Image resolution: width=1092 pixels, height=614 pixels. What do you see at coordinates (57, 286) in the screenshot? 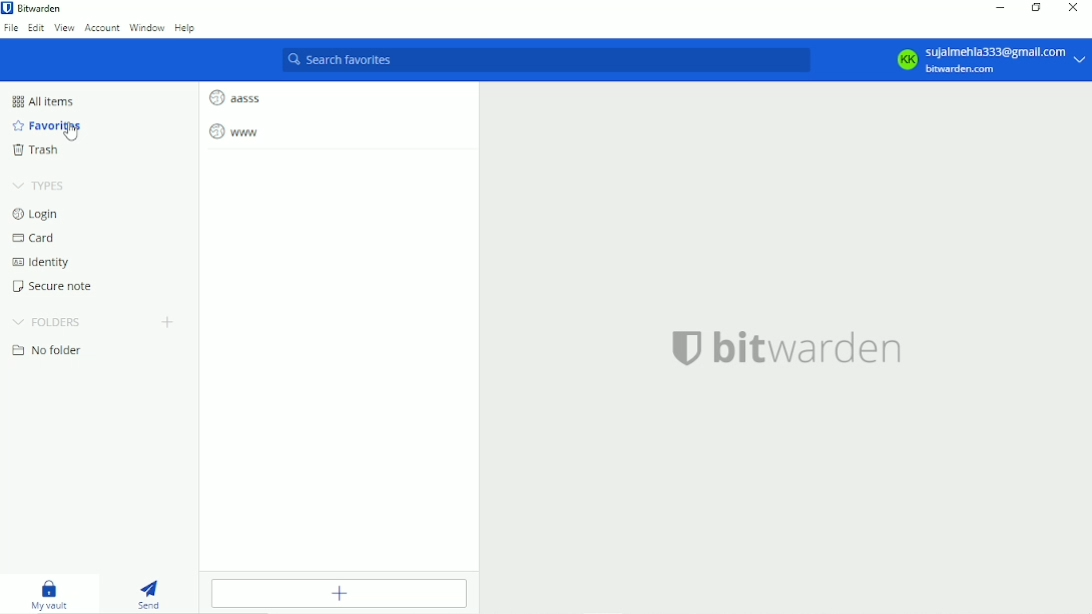
I see `Secure note` at bounding box center [57, 286].